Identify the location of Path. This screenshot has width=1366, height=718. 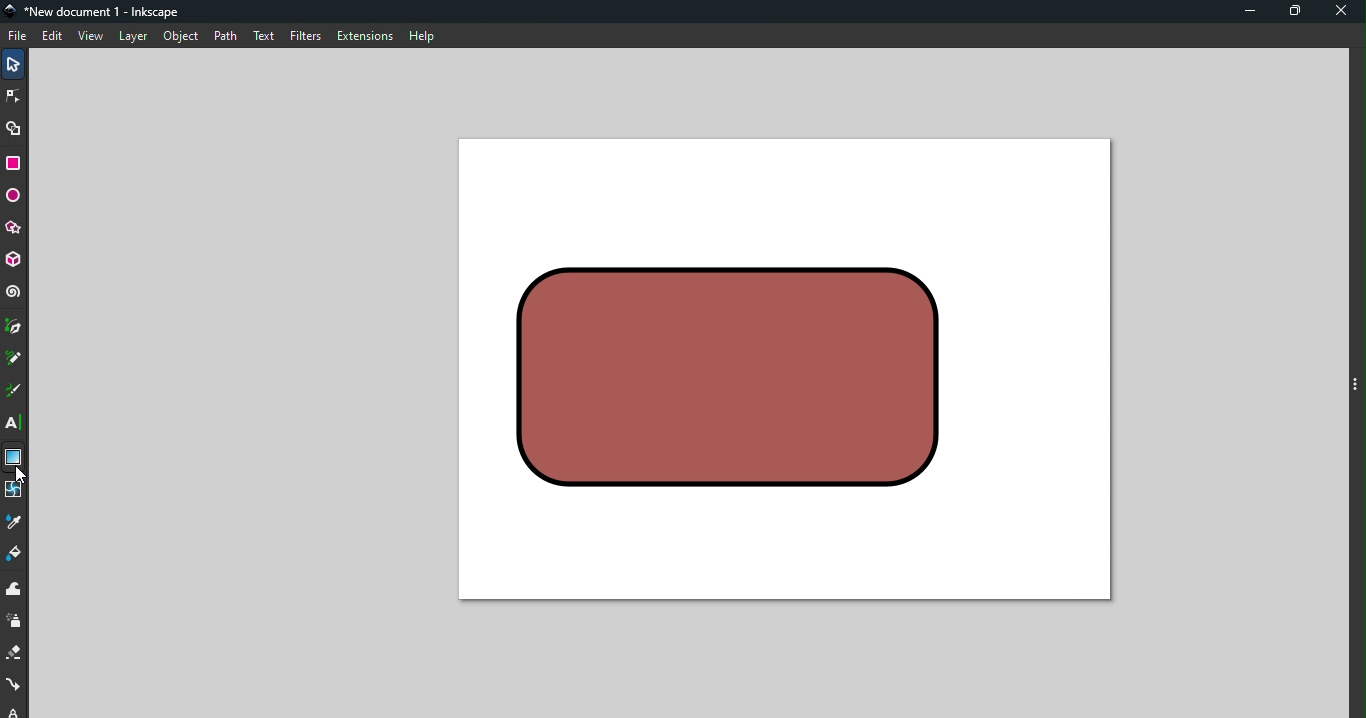
(221, 35).